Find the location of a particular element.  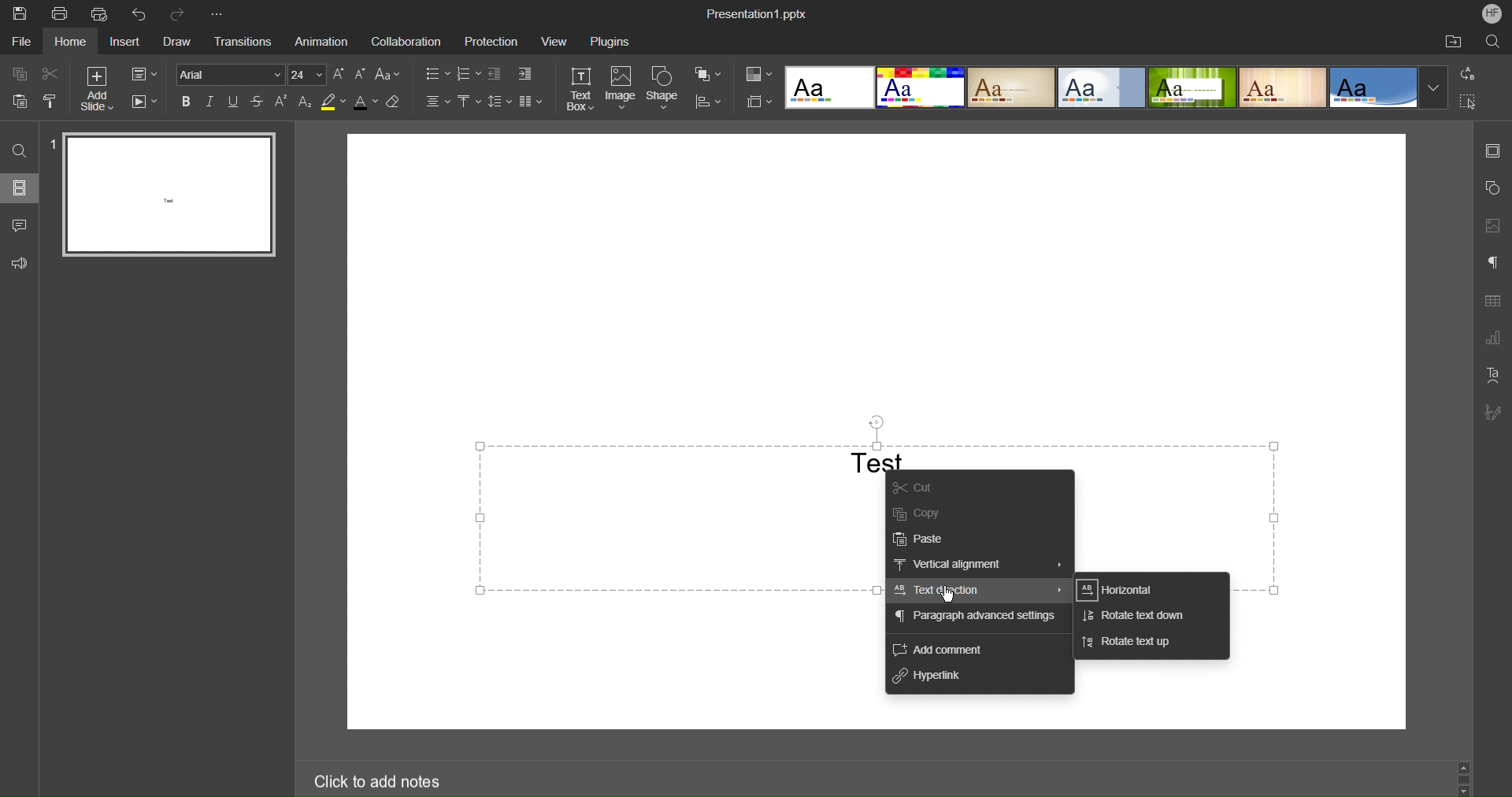

Undo is located at coordinates (142, 13).